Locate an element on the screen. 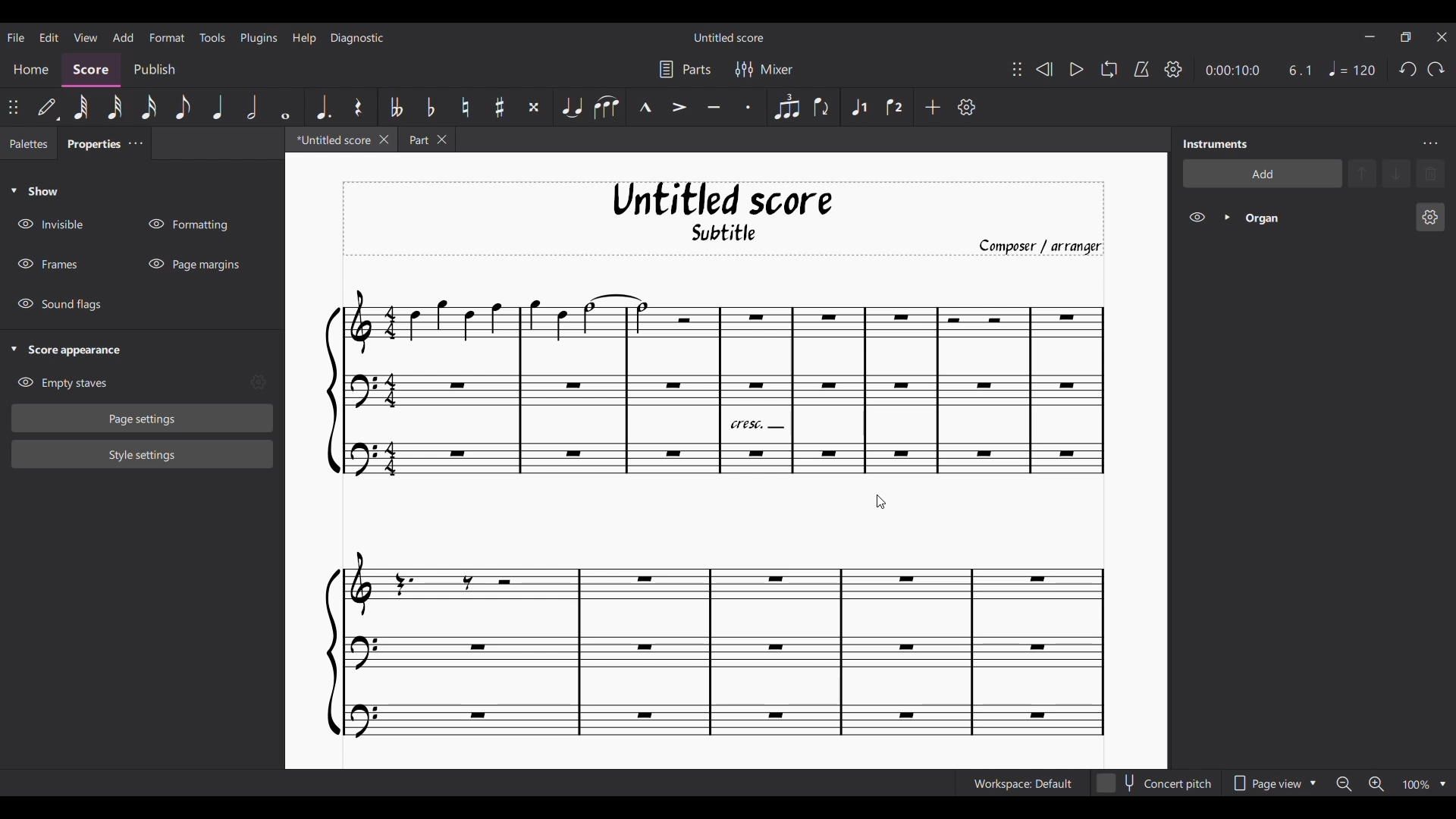 Image resolution: width=1456 pixels, height=819 pixels. Hide Organs on score is located at coordinates (1197, 218).